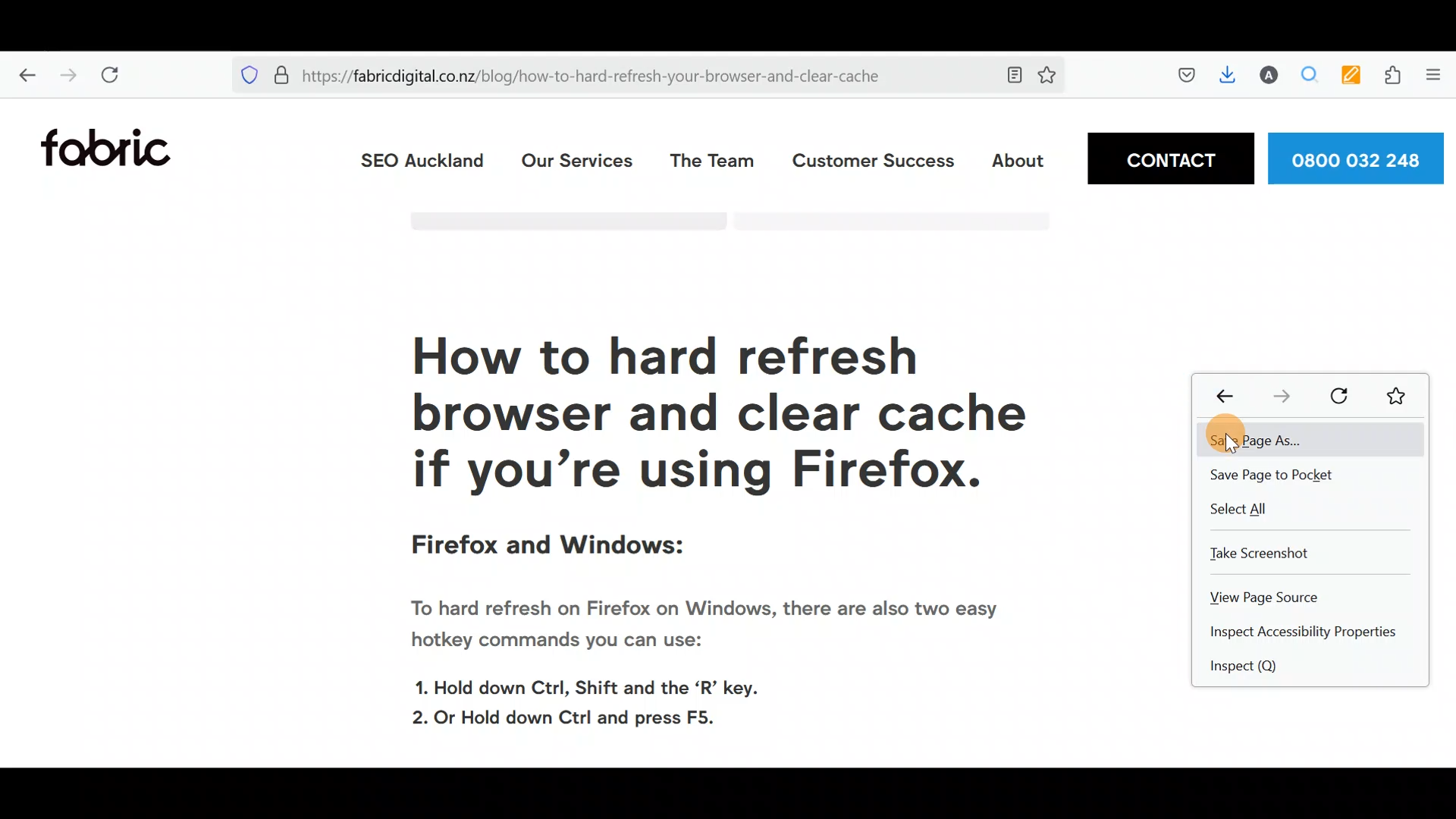 The image size is (1456, 819). I want to click on Select all, so click(1241, 510).